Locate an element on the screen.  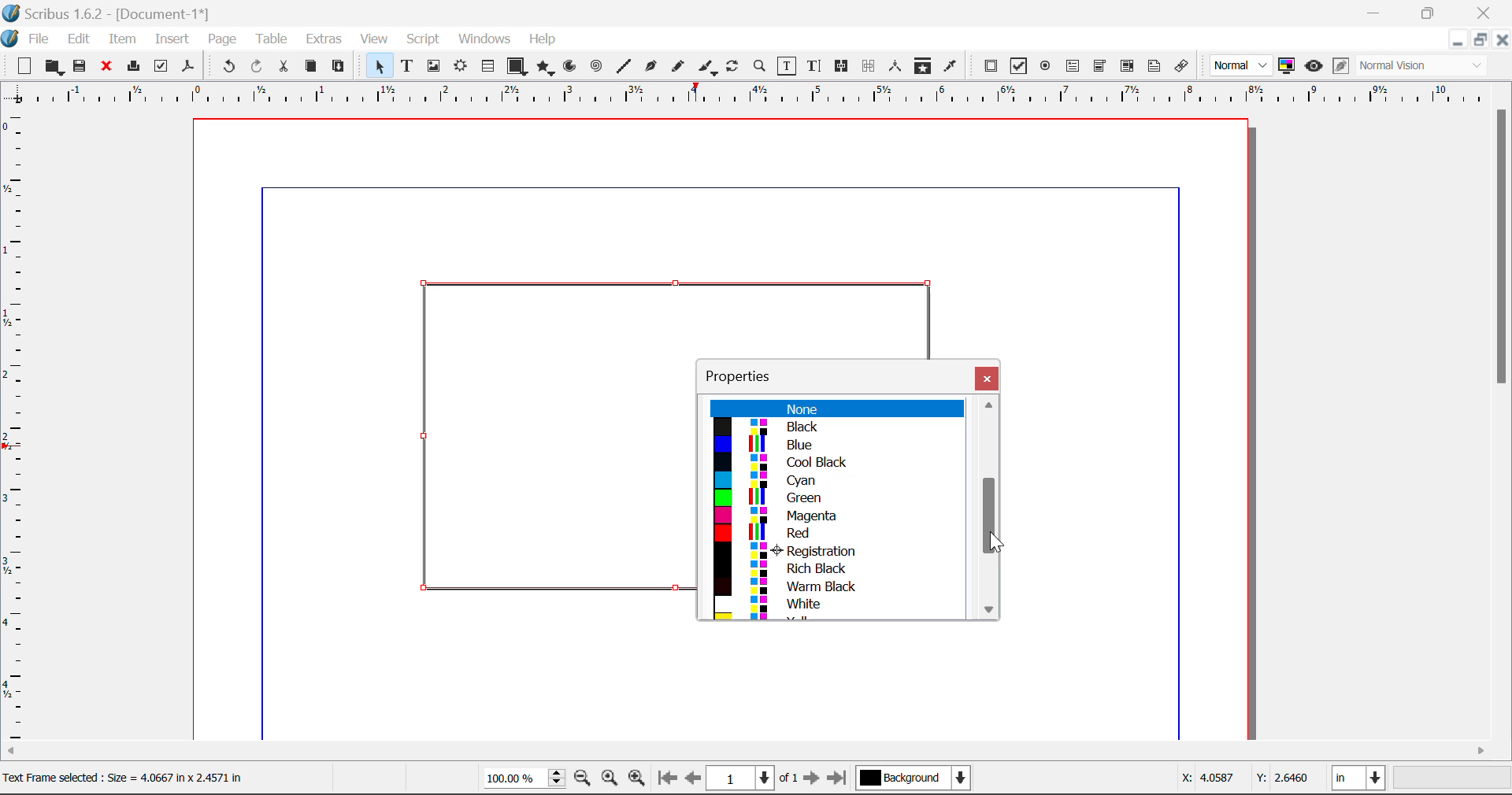
First Page is located at coordinates (667, 780).